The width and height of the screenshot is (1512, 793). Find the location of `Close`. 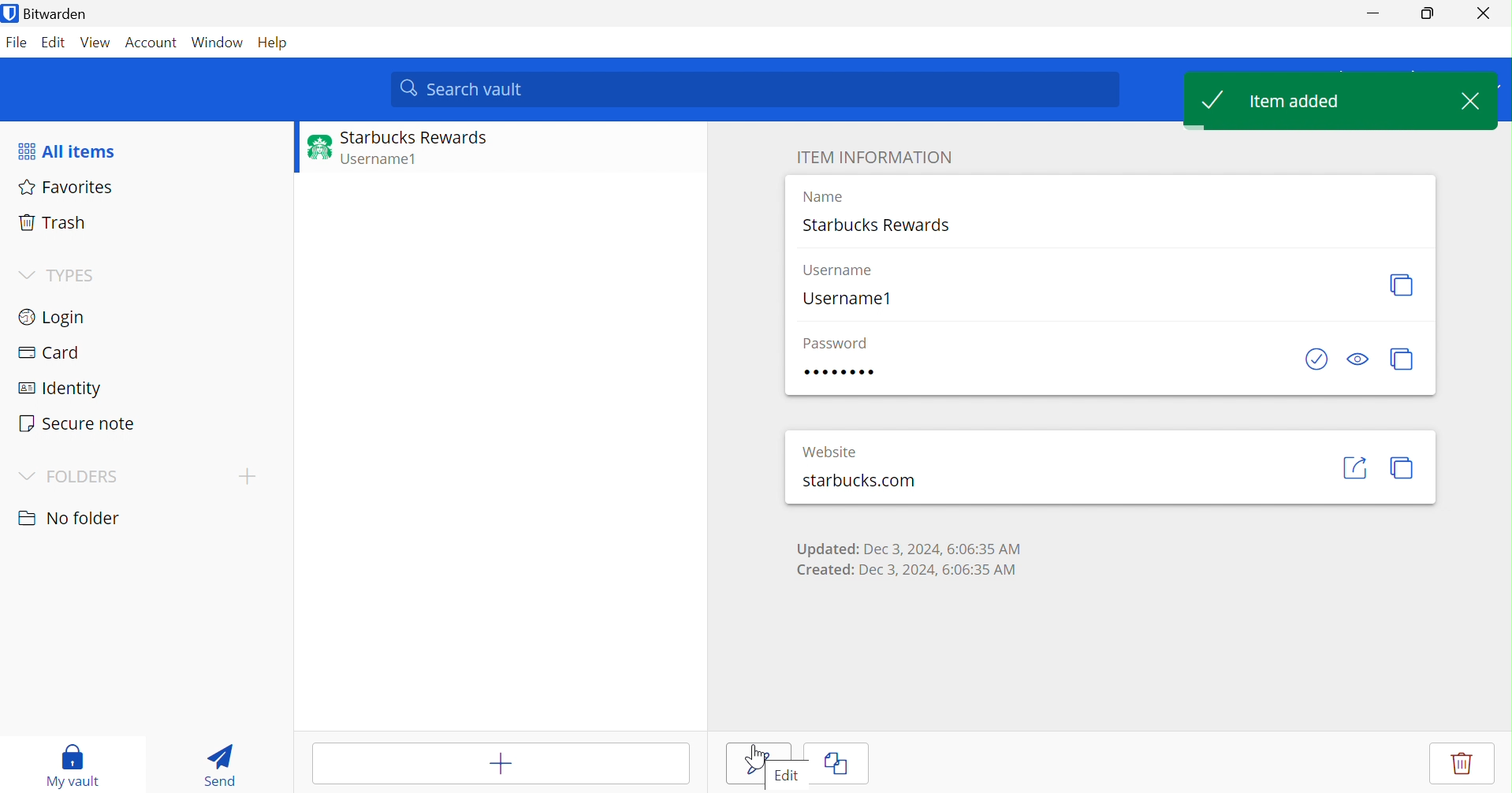

Close is located at coordinates (1470, 101).